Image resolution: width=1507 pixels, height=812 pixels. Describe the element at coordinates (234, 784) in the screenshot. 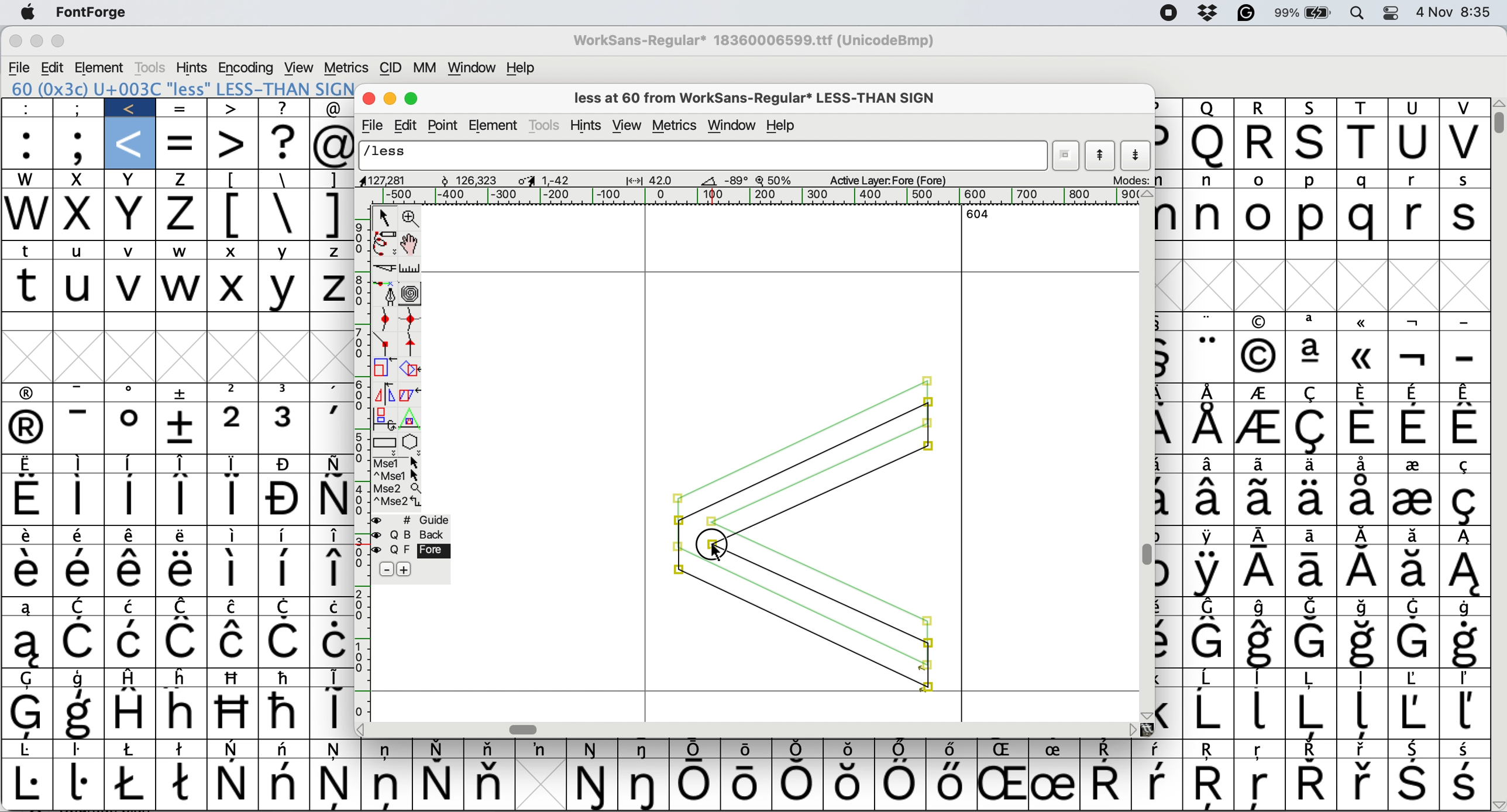

I see `Symbol` at that location.